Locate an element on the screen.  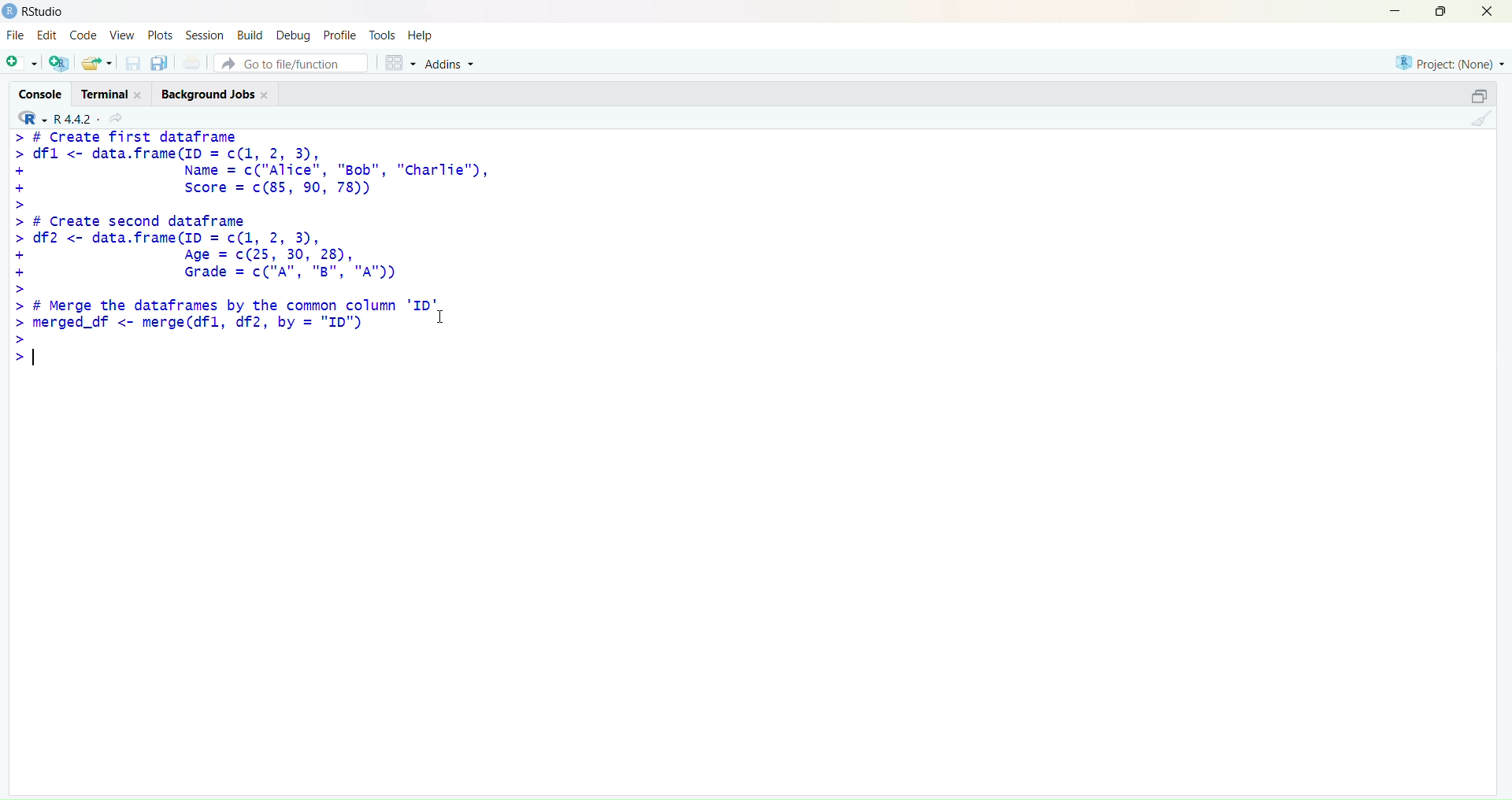
create a project is located at coordinates (60, 62).